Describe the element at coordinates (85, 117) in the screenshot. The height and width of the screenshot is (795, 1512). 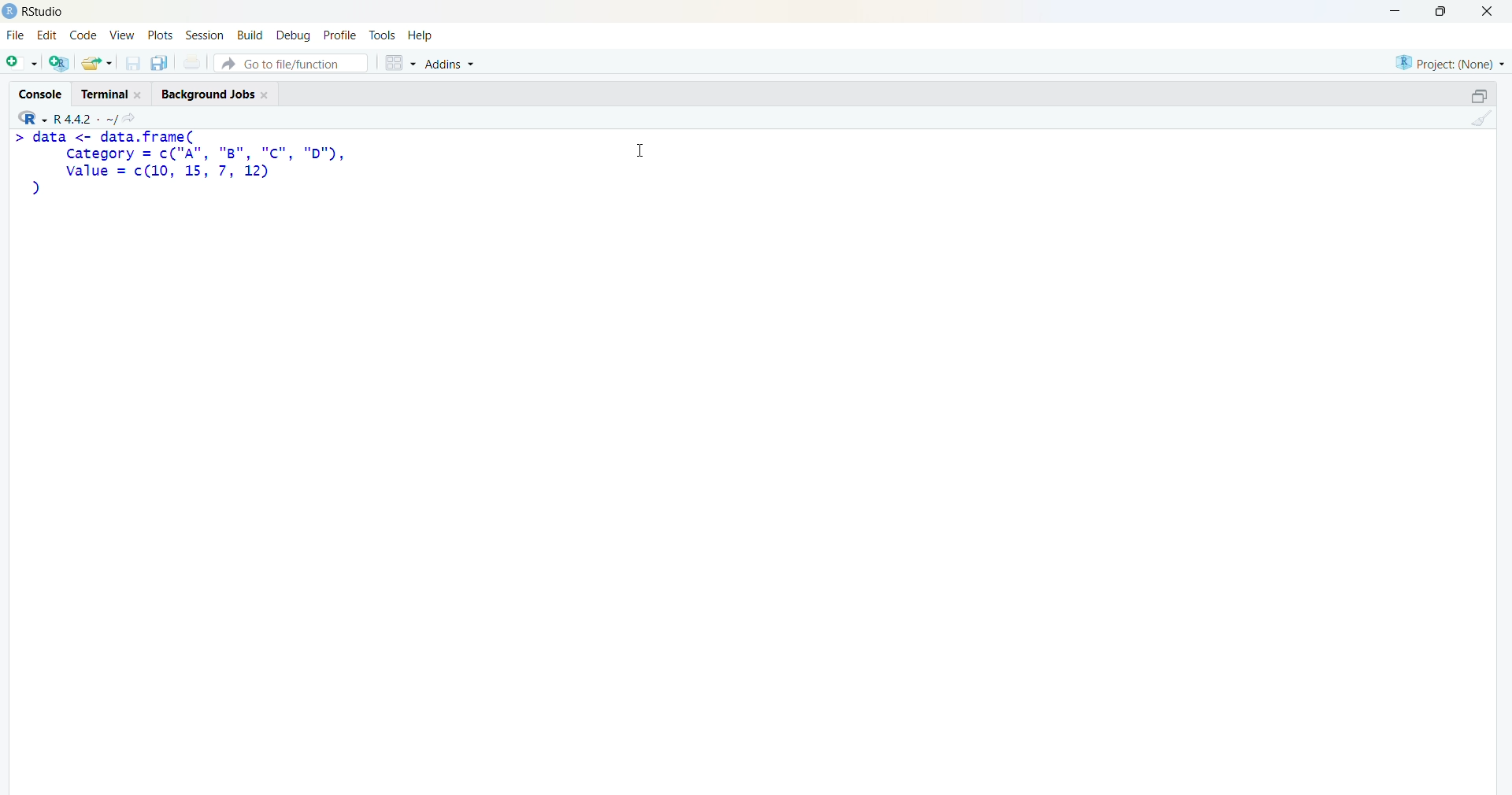
I see ` R language version - R 4.4.2` at that location.